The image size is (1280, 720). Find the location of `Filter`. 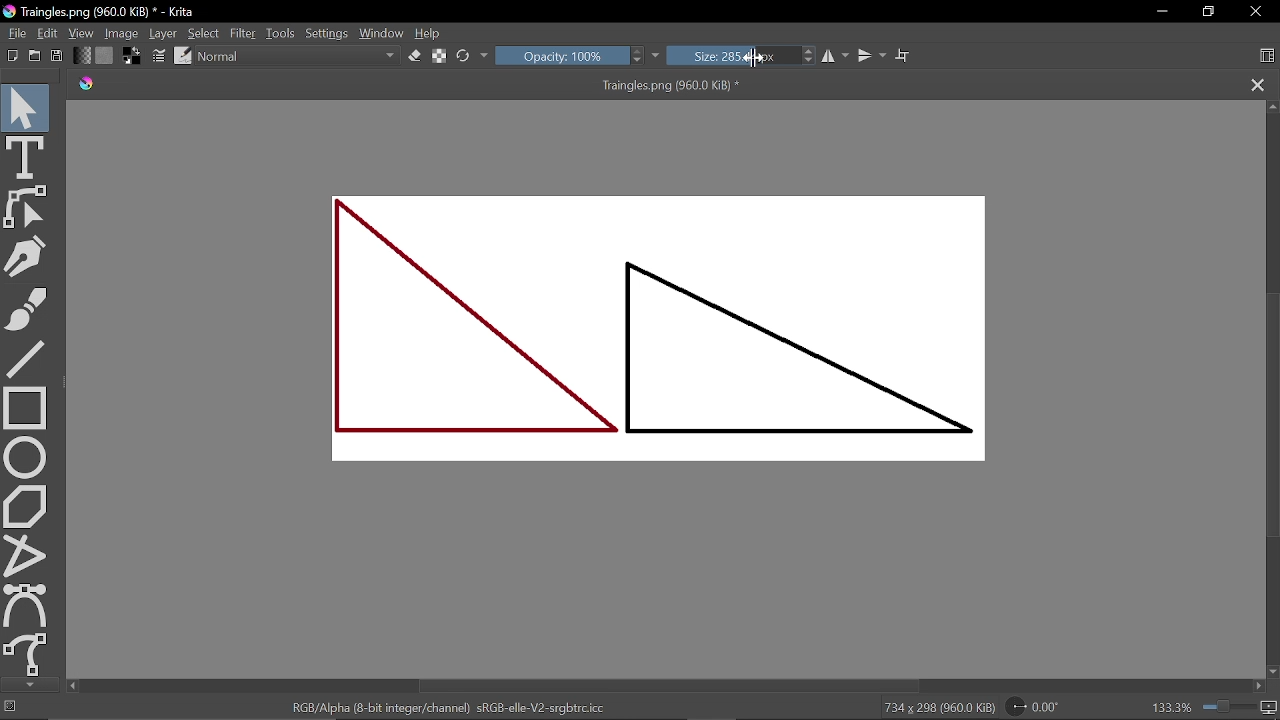

Filter is located at coordinates (245, 33).